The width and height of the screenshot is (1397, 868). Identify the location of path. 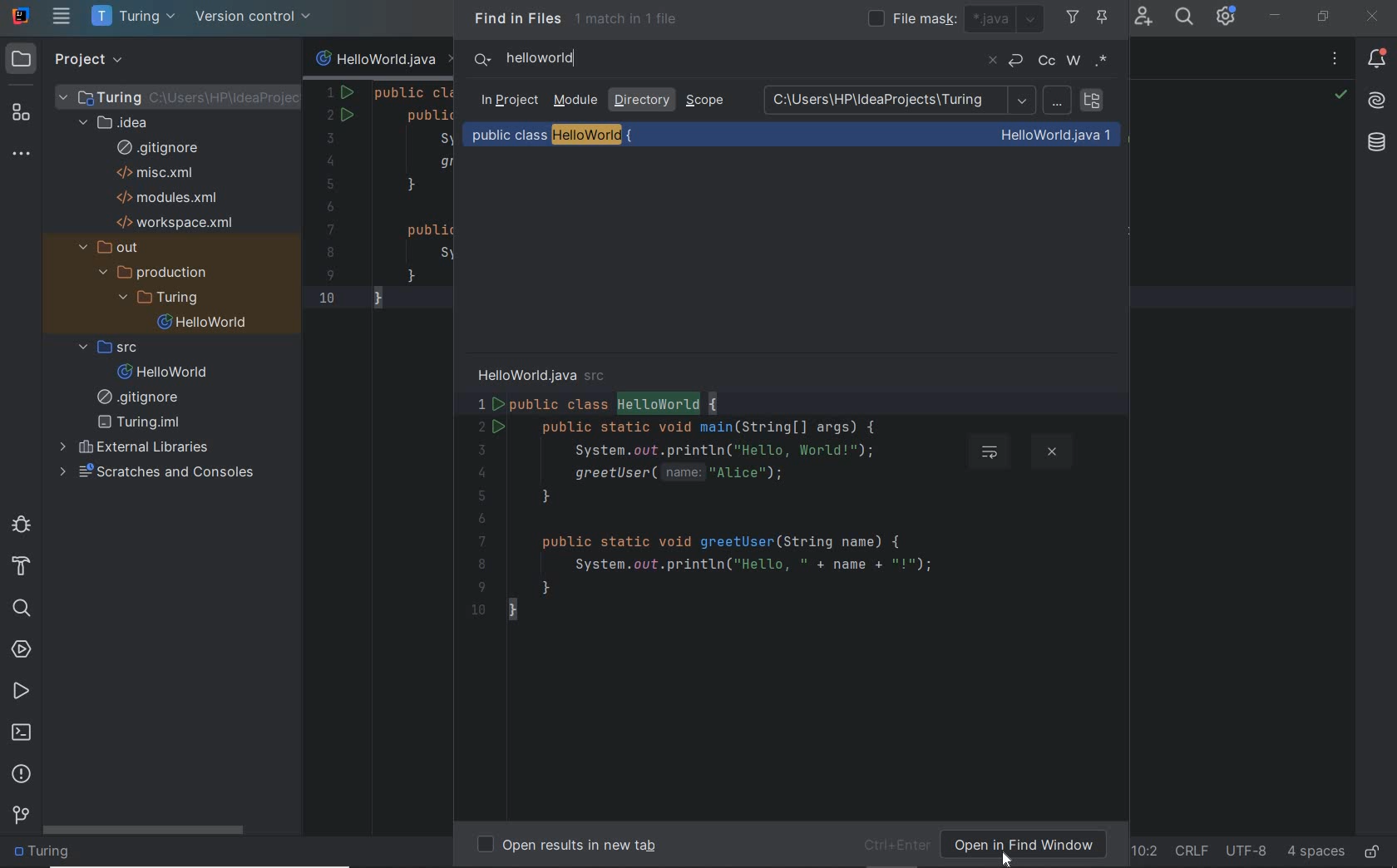
(1063, 102).